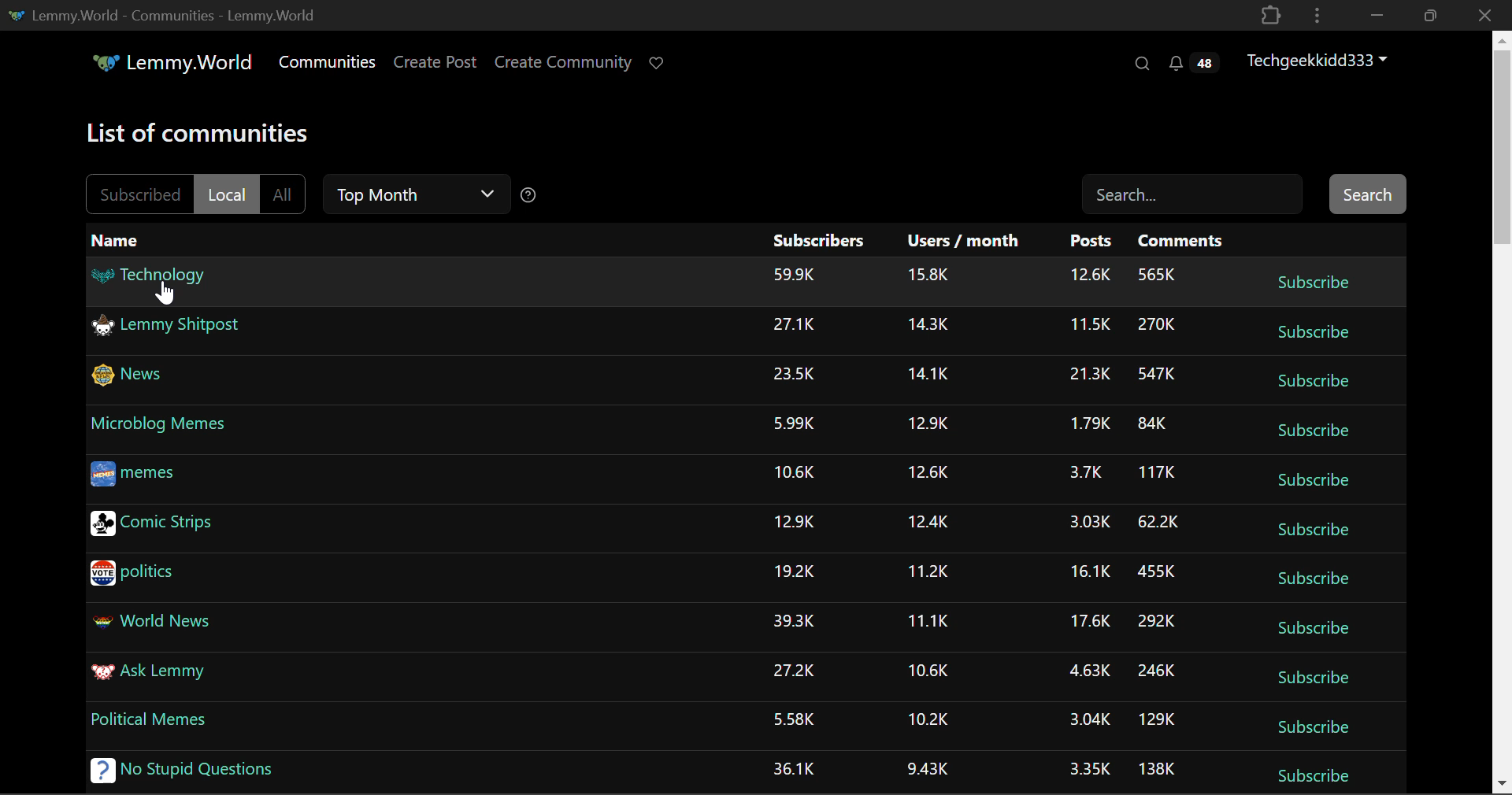 This screenshot has width=1512, height=795. I want to click on Subscribers, so click(822, 242).